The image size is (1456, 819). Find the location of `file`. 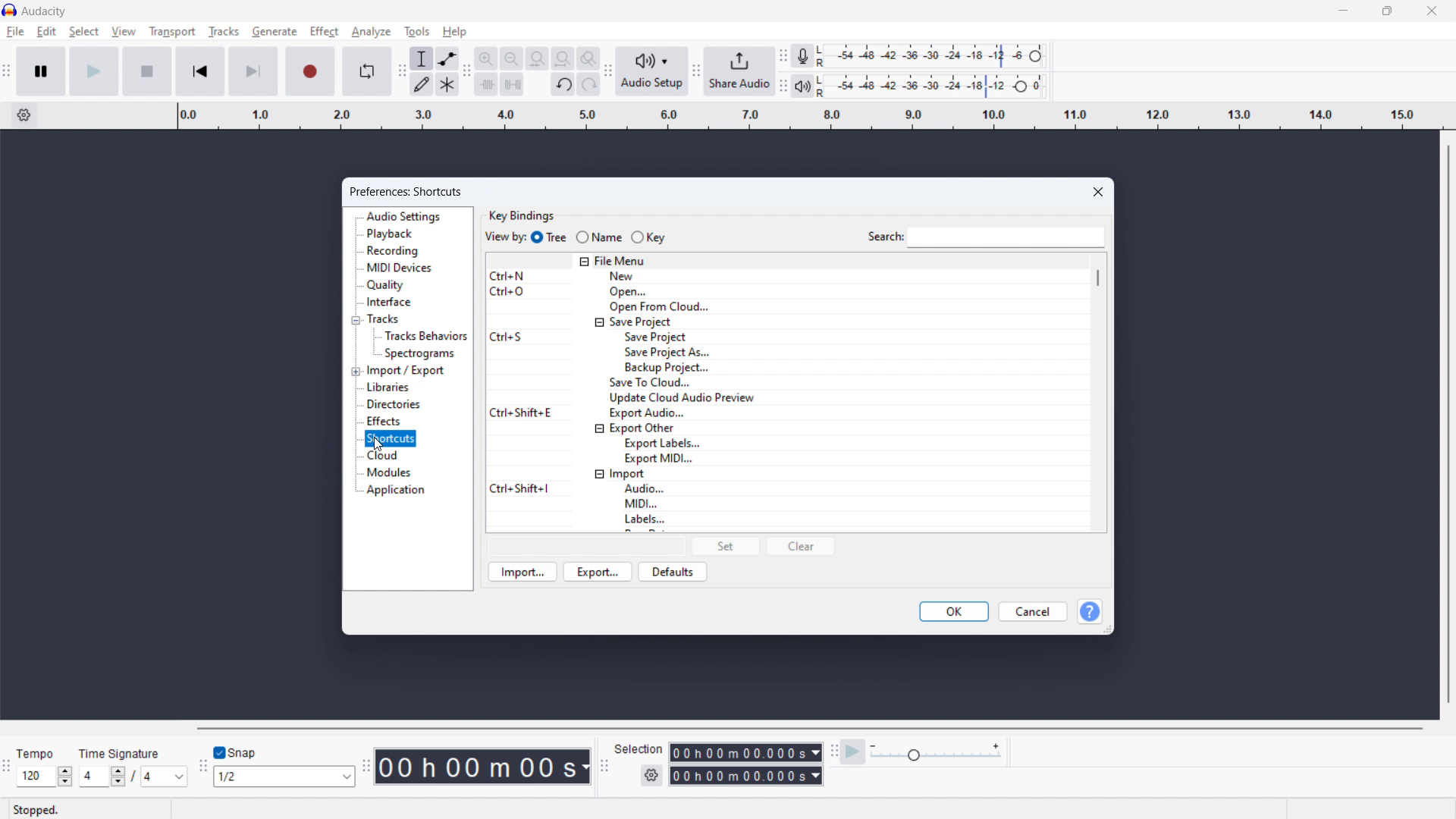

file is located at coordinates (16, 31).